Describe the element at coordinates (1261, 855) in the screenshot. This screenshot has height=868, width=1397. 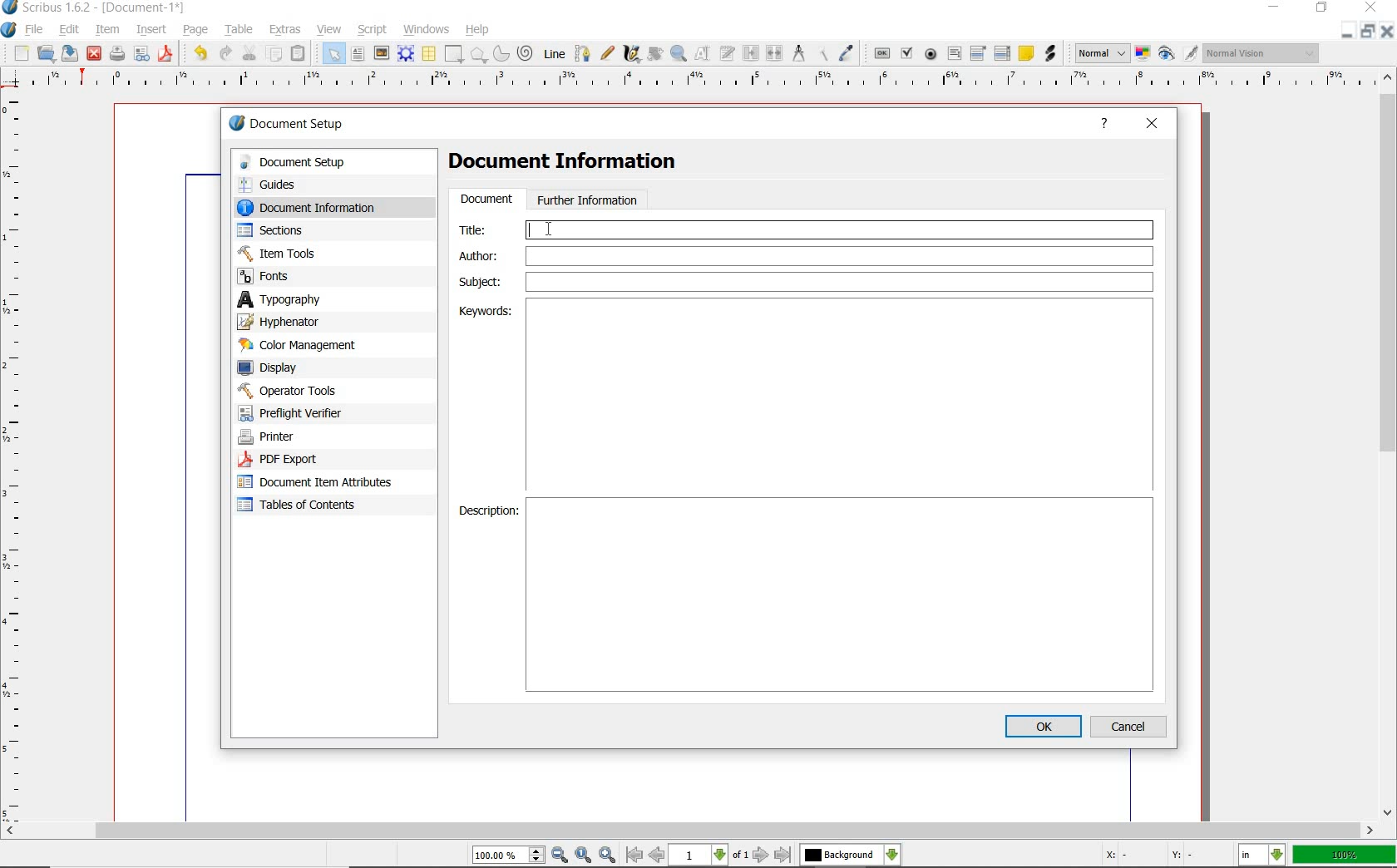
I see `select the current unit` at that location.